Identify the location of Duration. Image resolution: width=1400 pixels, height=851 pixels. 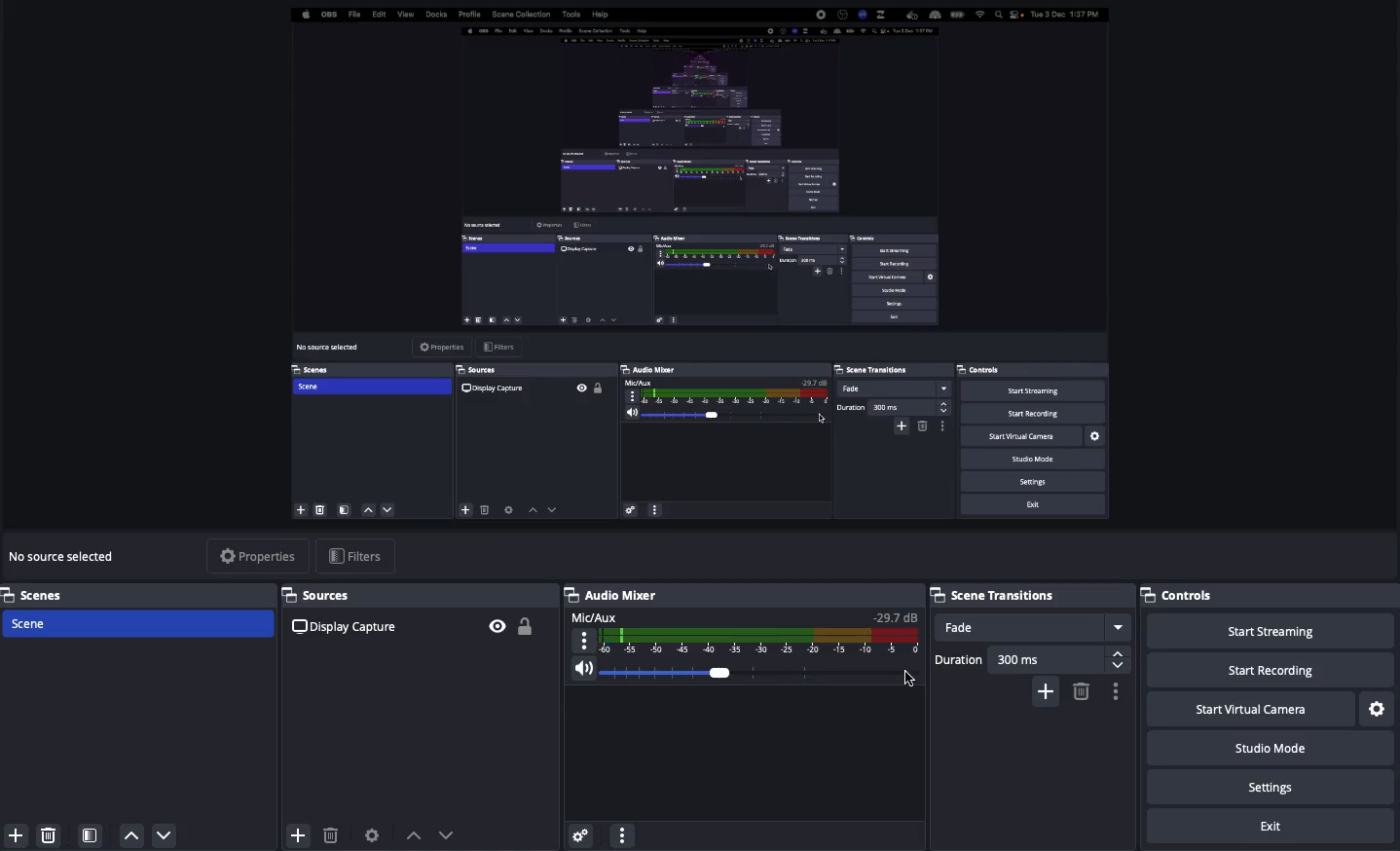
(1030, 659).